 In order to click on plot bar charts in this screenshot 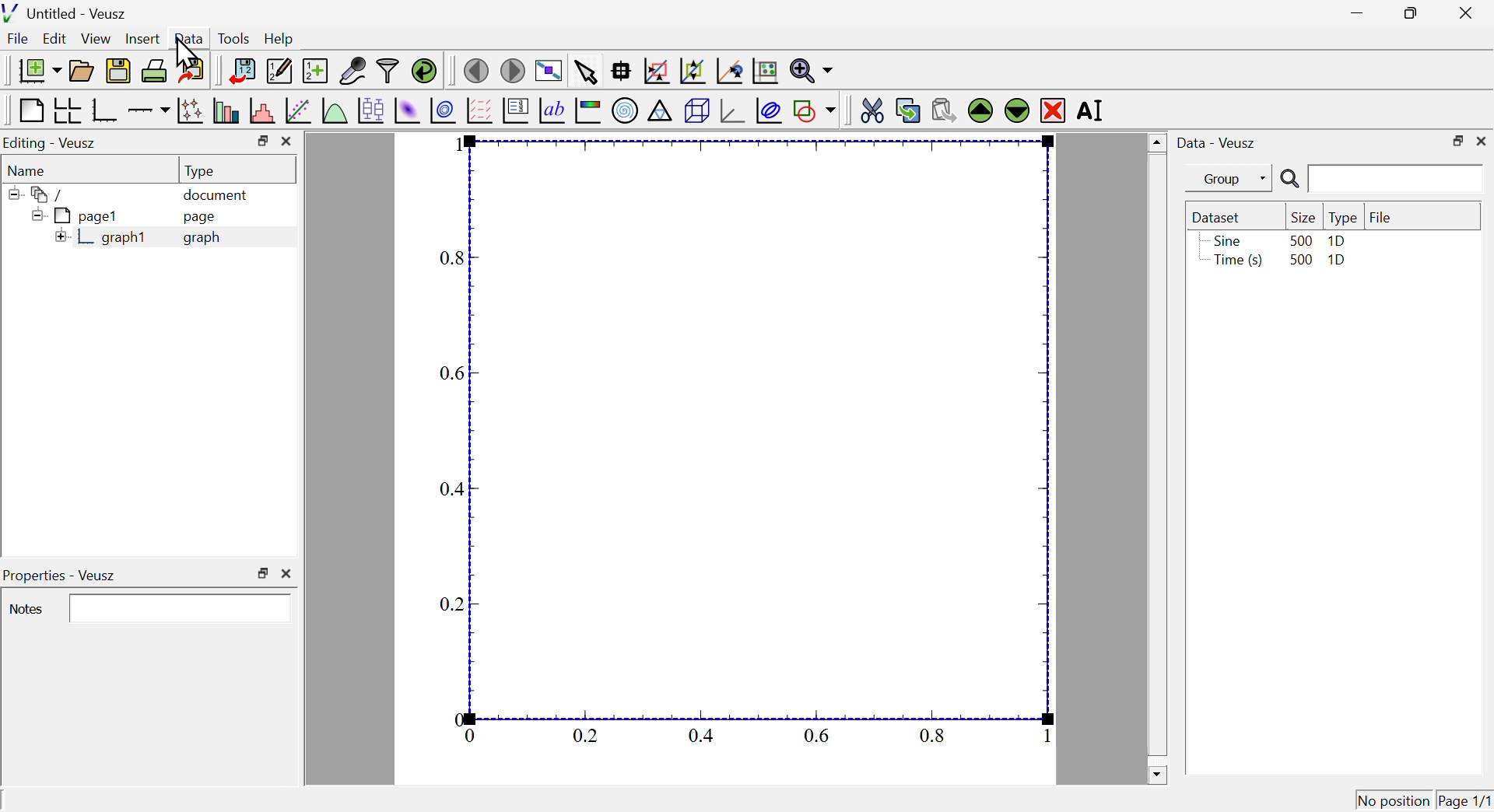, I will do `click(226, 112)`.